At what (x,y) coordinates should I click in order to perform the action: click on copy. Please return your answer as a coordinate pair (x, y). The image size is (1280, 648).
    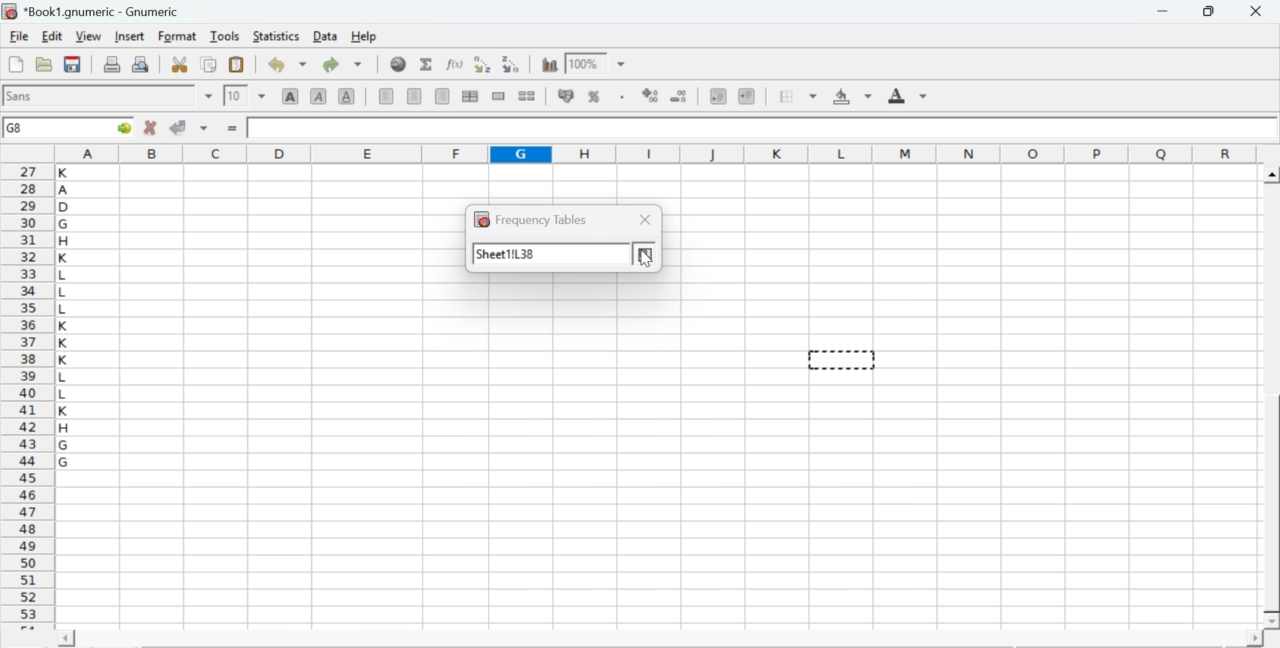
    Looking at the image, I should click on (210, 64).